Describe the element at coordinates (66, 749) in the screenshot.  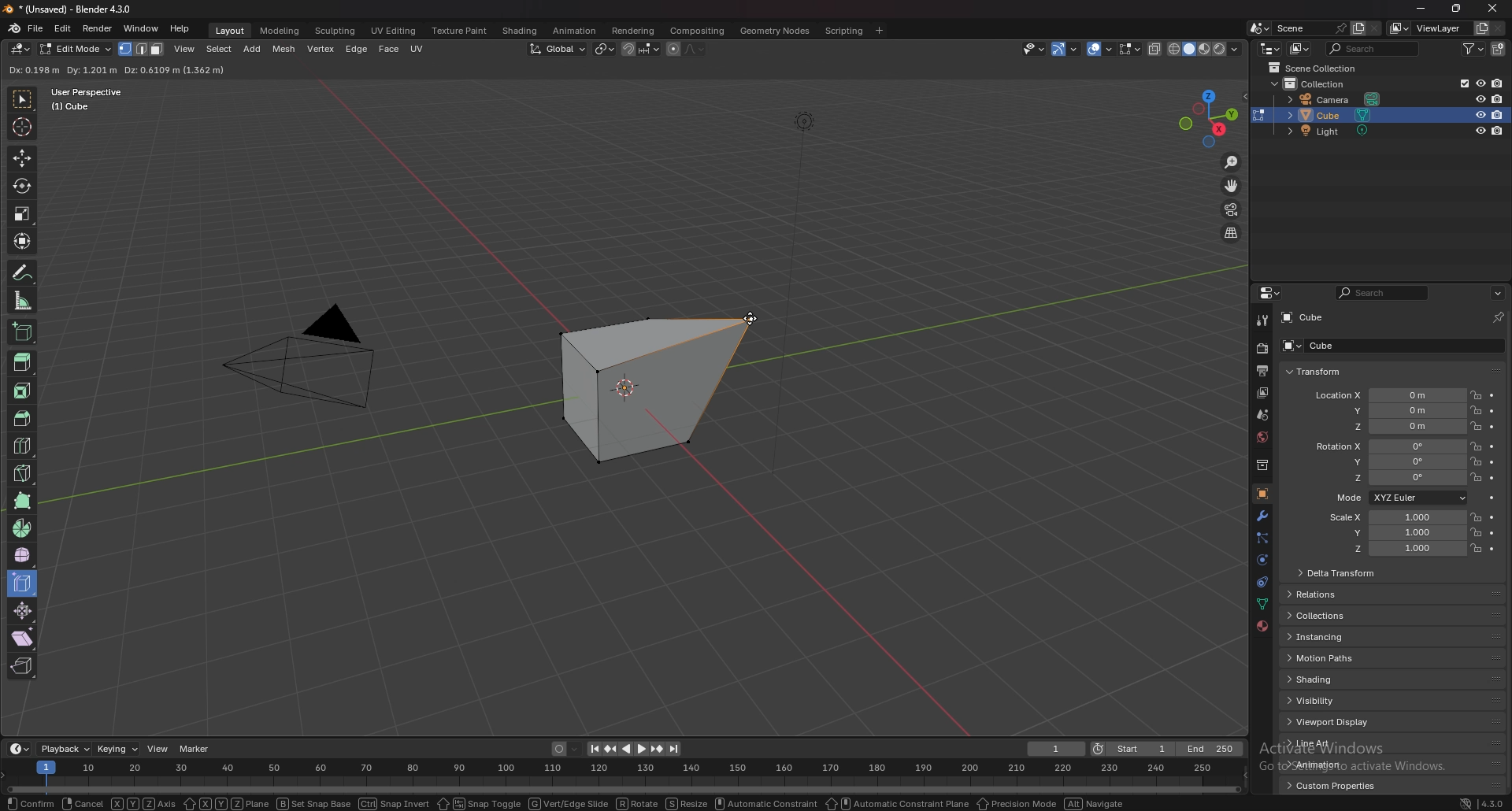
I see `playback` at that location.